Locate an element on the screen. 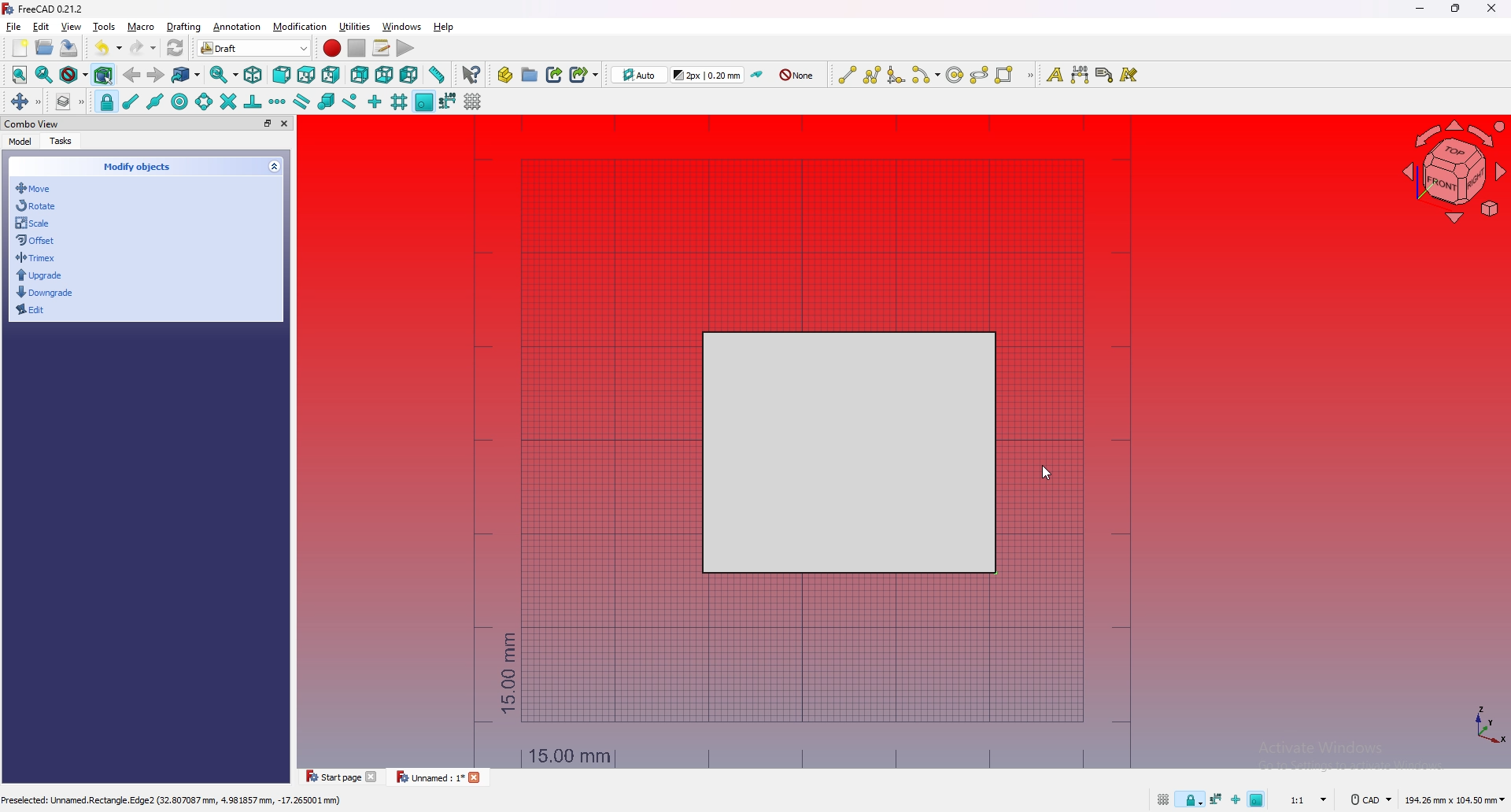 Image resolution: width=1511 pixels, height=812 pixels. snap dimension is located at coordinates (448, 100).